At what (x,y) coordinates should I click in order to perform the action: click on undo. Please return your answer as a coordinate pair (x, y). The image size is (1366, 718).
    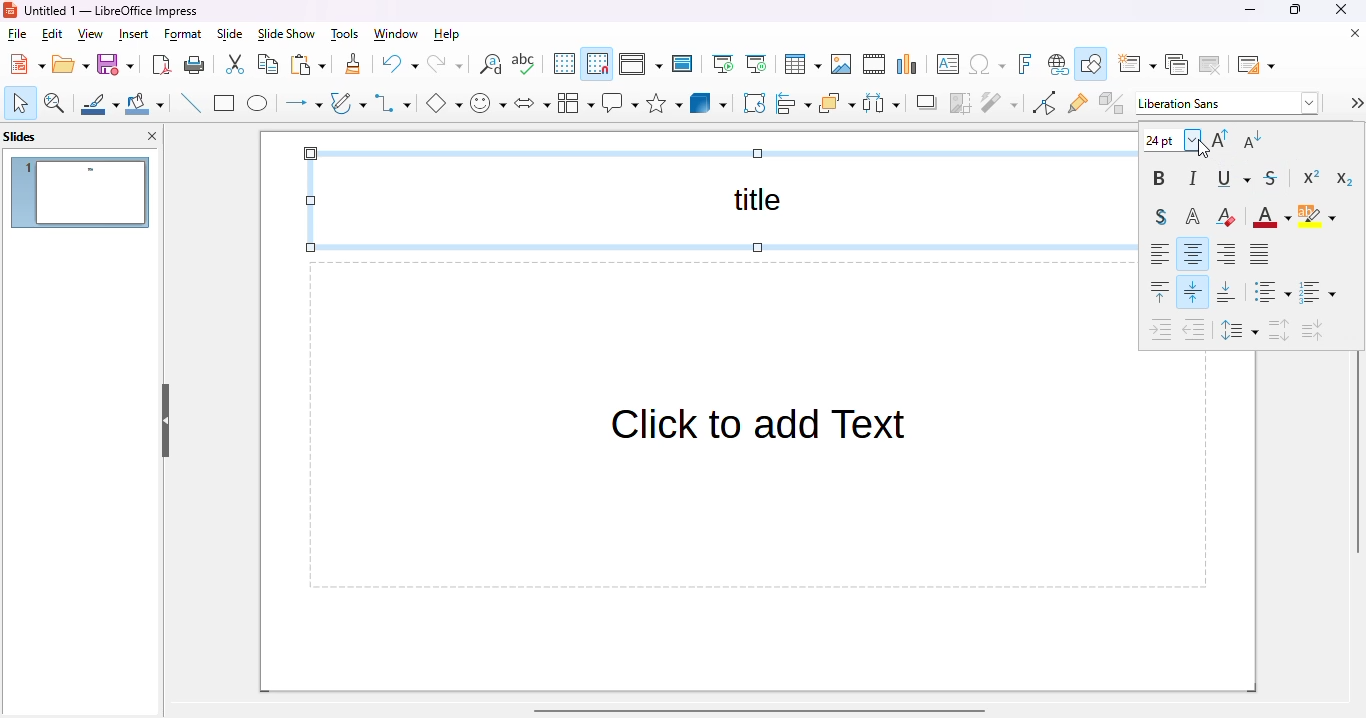
    Looking at the image, I should click on (400, 64).